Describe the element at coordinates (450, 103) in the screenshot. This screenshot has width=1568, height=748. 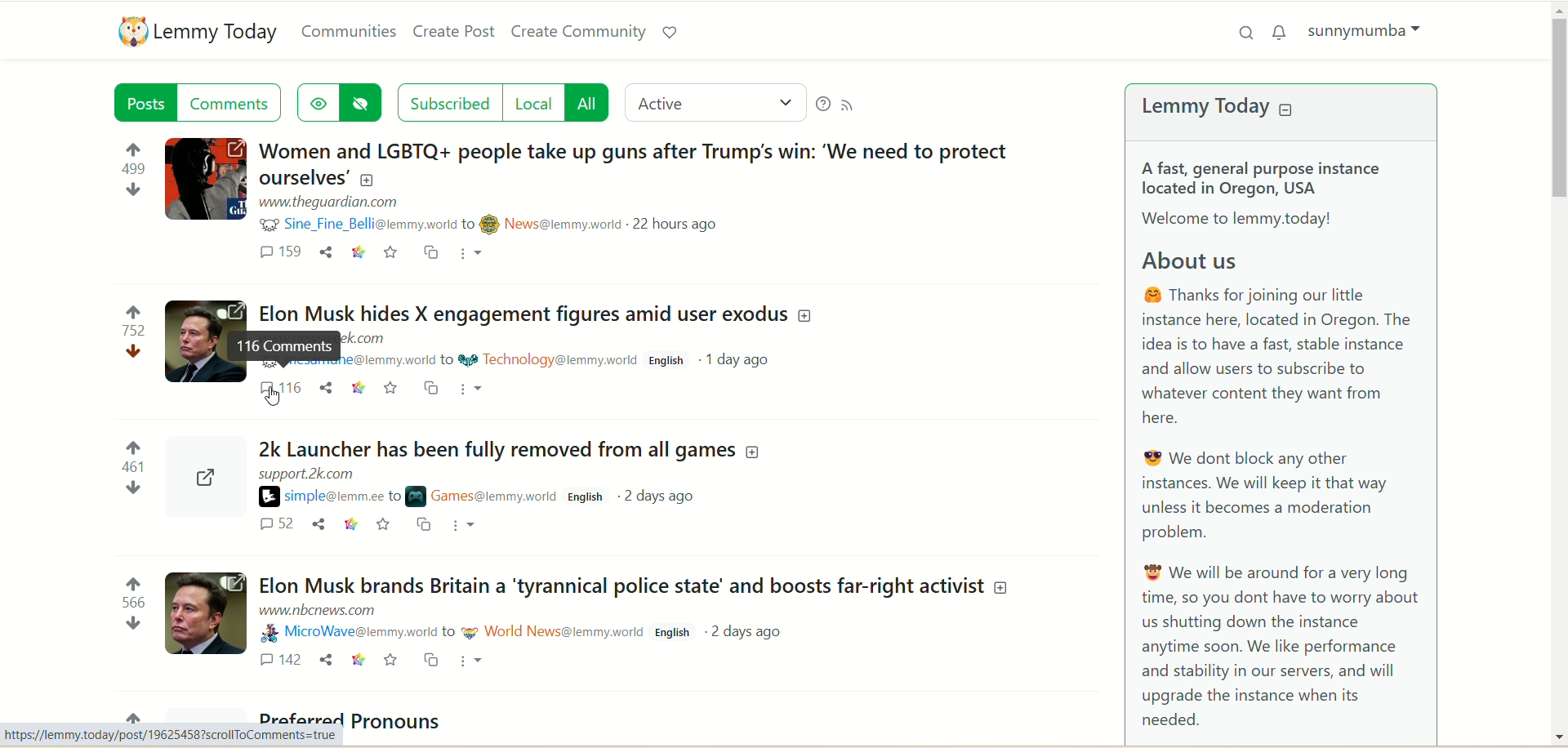
I see `subscribed` at that location.